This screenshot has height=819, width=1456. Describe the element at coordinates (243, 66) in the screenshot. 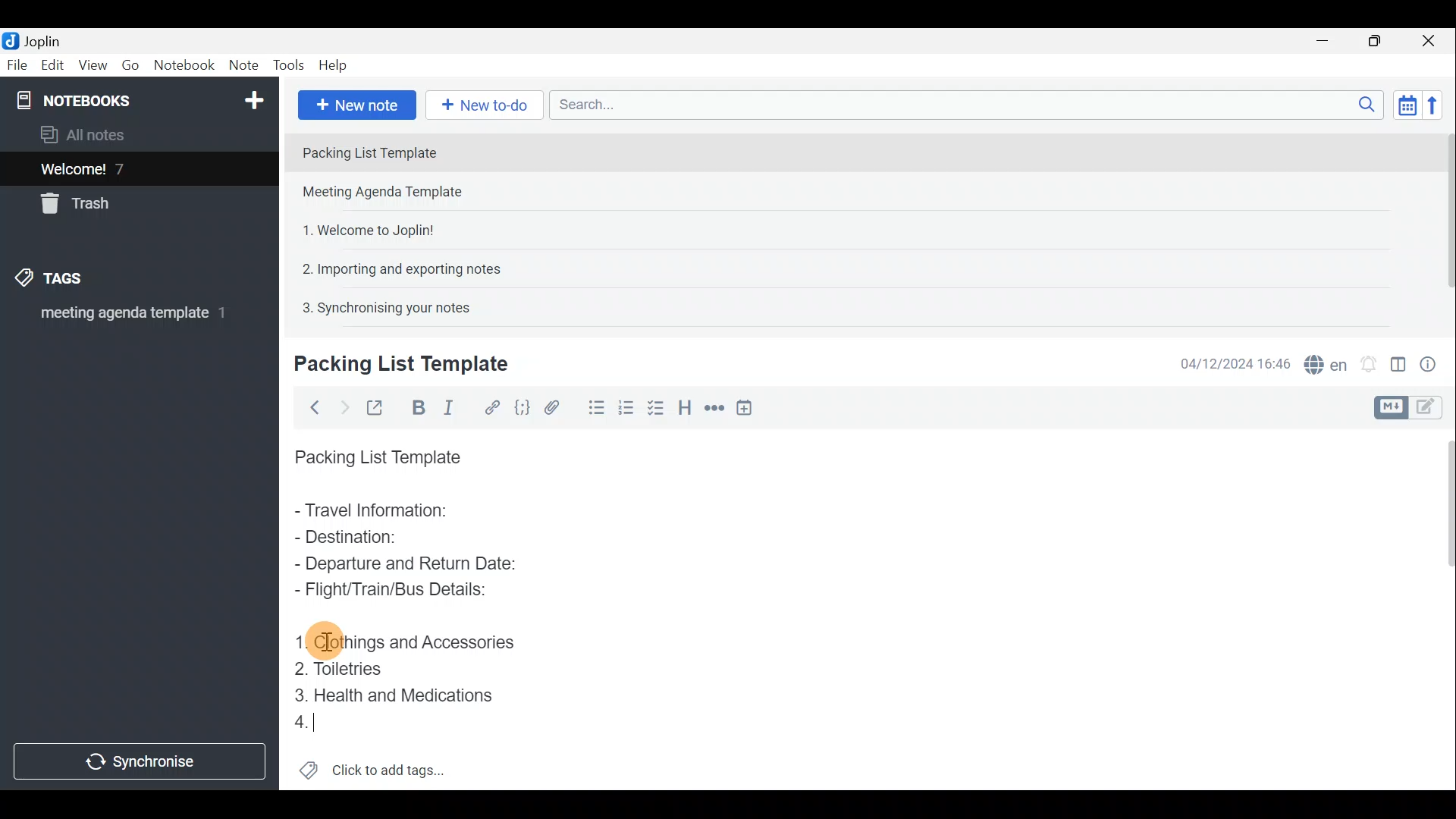

I see `Note` at that location.